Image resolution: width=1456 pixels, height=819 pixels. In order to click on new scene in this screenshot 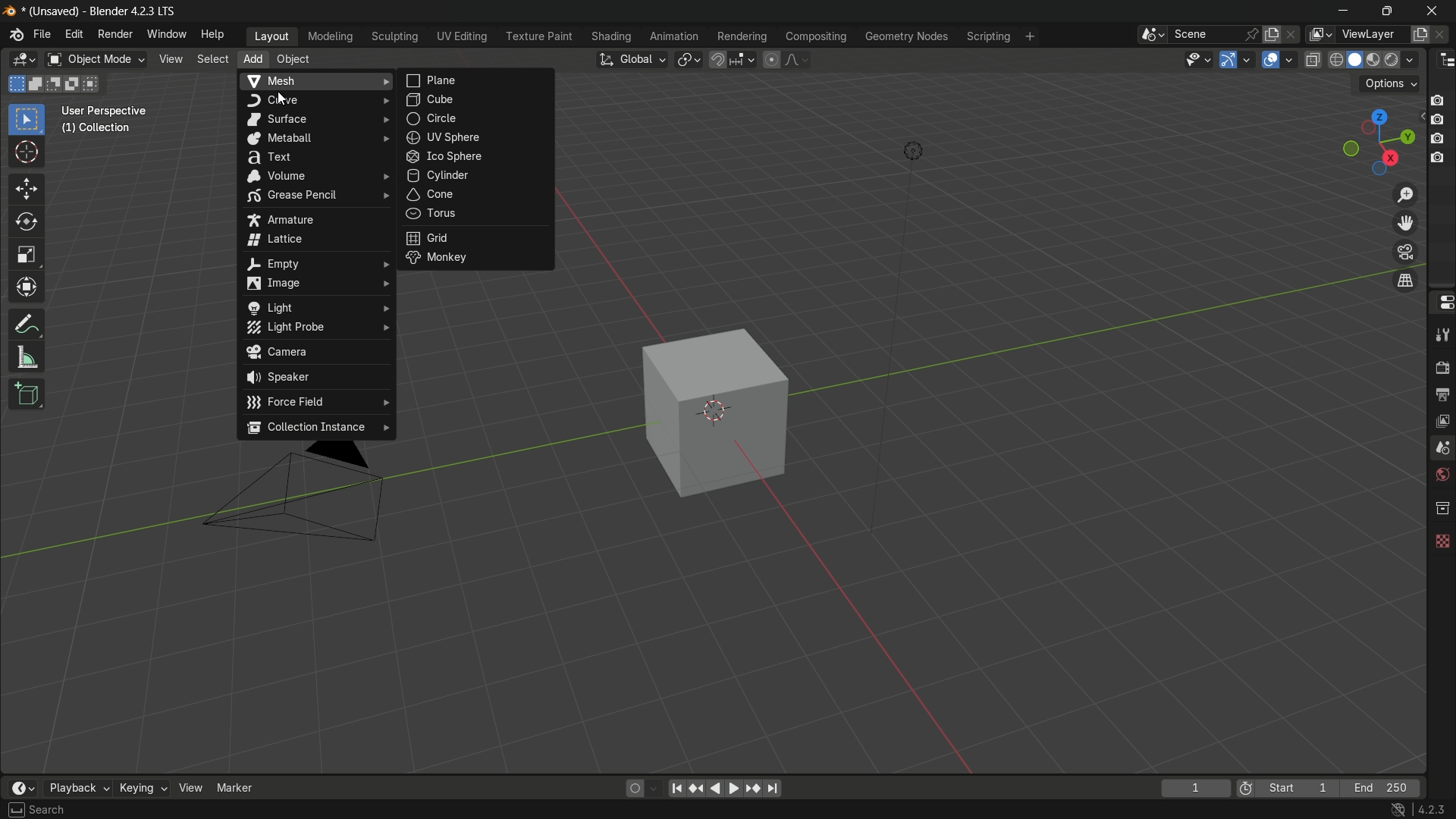, I will do `click(1272, 34)`.